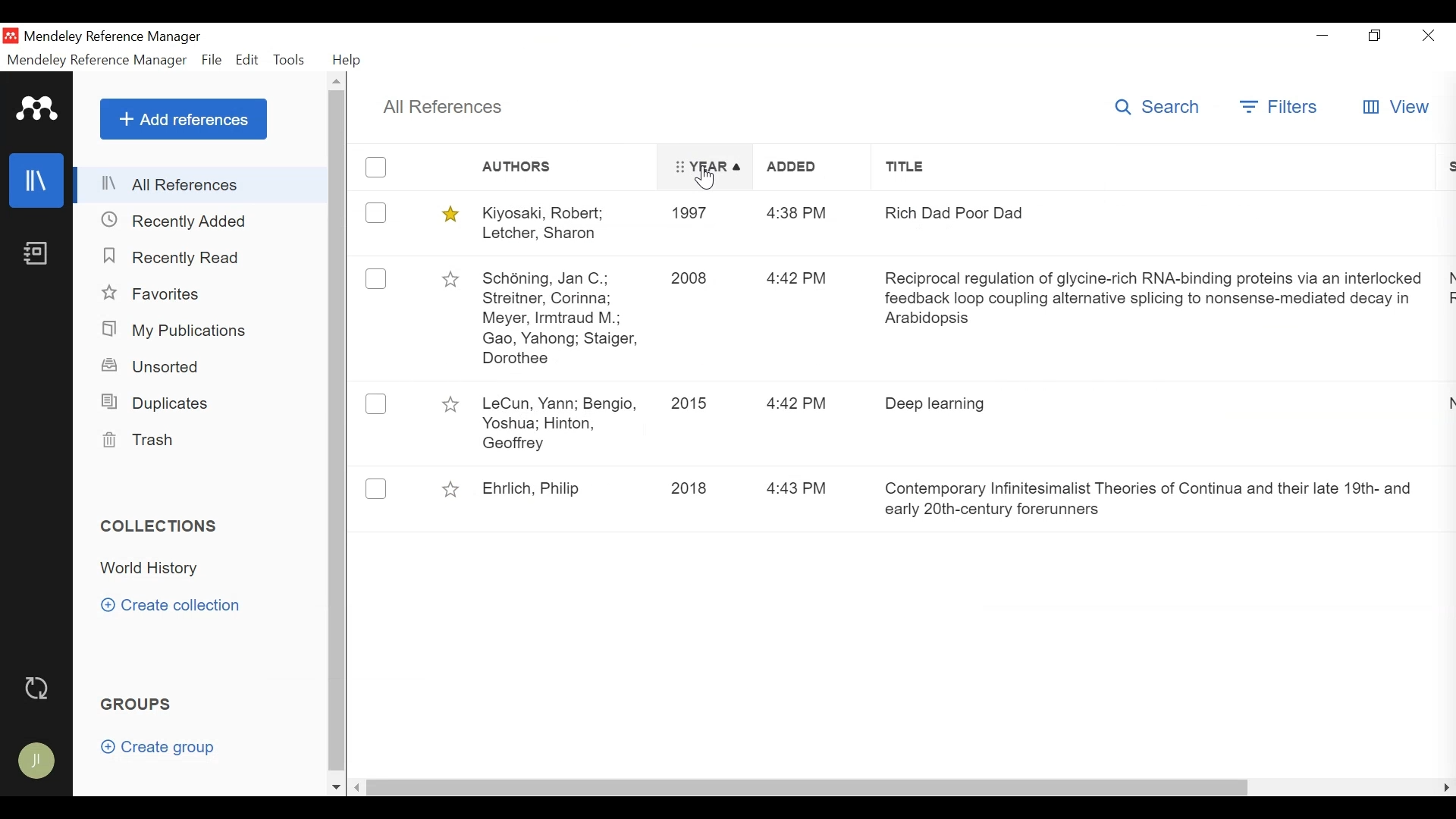 The height and width of the screenshot is (819, 1456). I want to click on Cursor, so click(702, 178).